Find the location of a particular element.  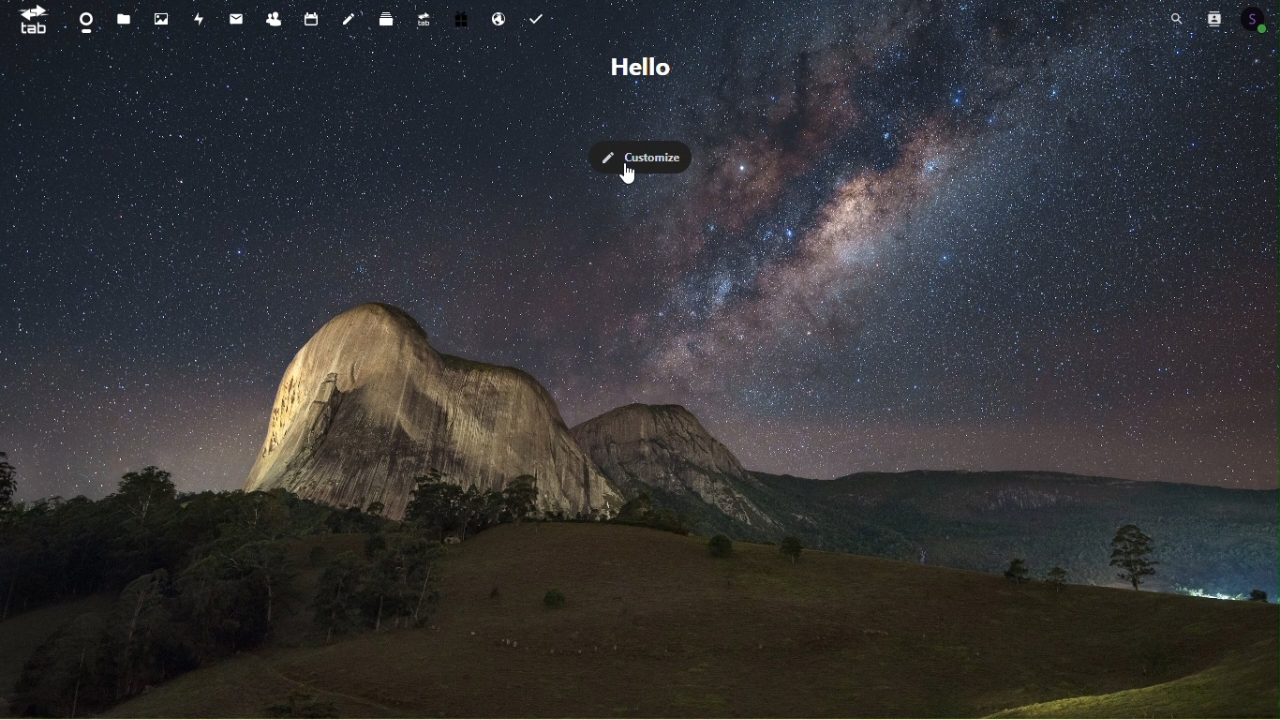

Hello is located at coordinates (640, 66).